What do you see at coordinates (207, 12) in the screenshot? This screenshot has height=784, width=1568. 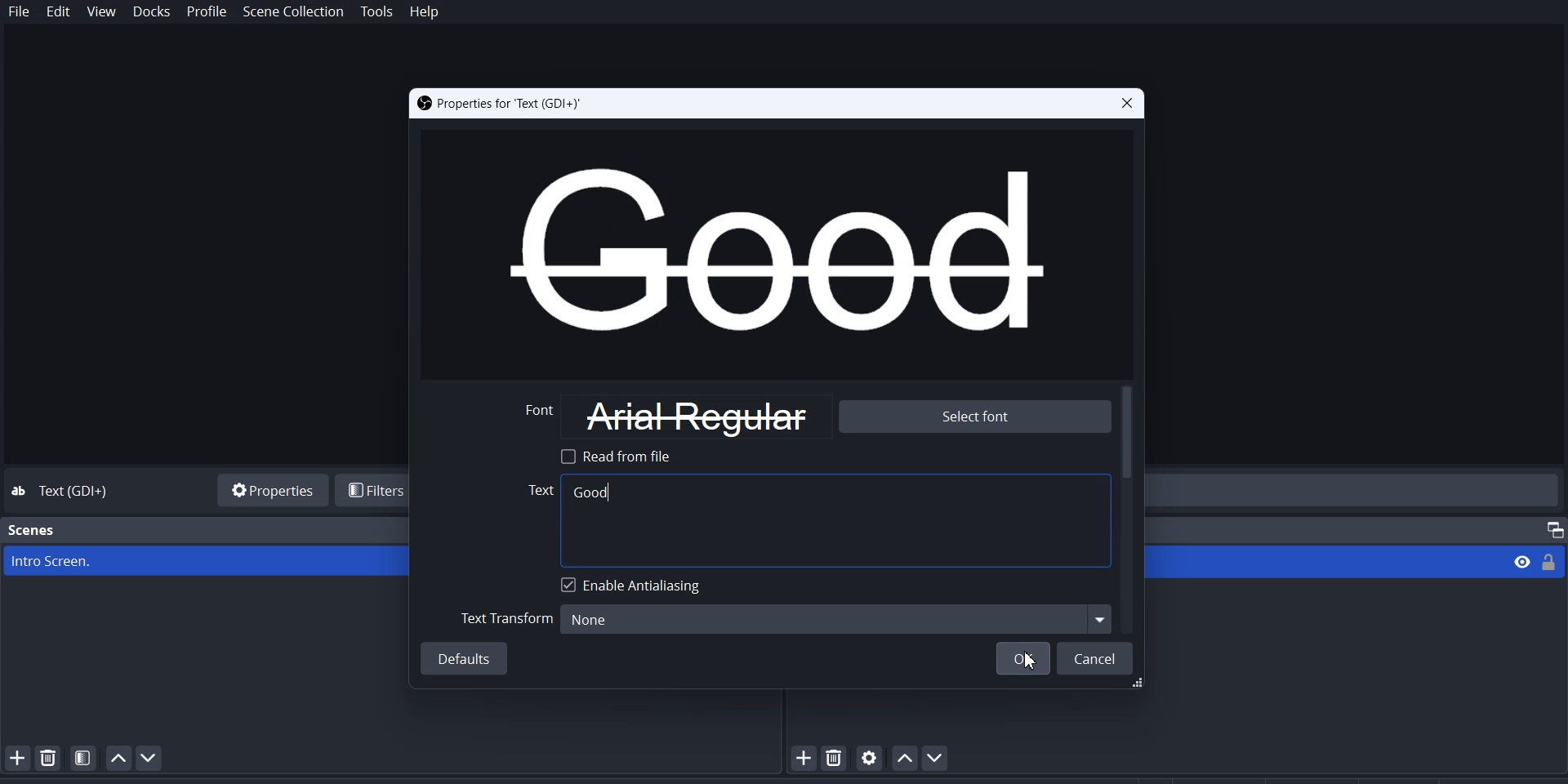 I see `Profile` at bounding box center [207, 12].